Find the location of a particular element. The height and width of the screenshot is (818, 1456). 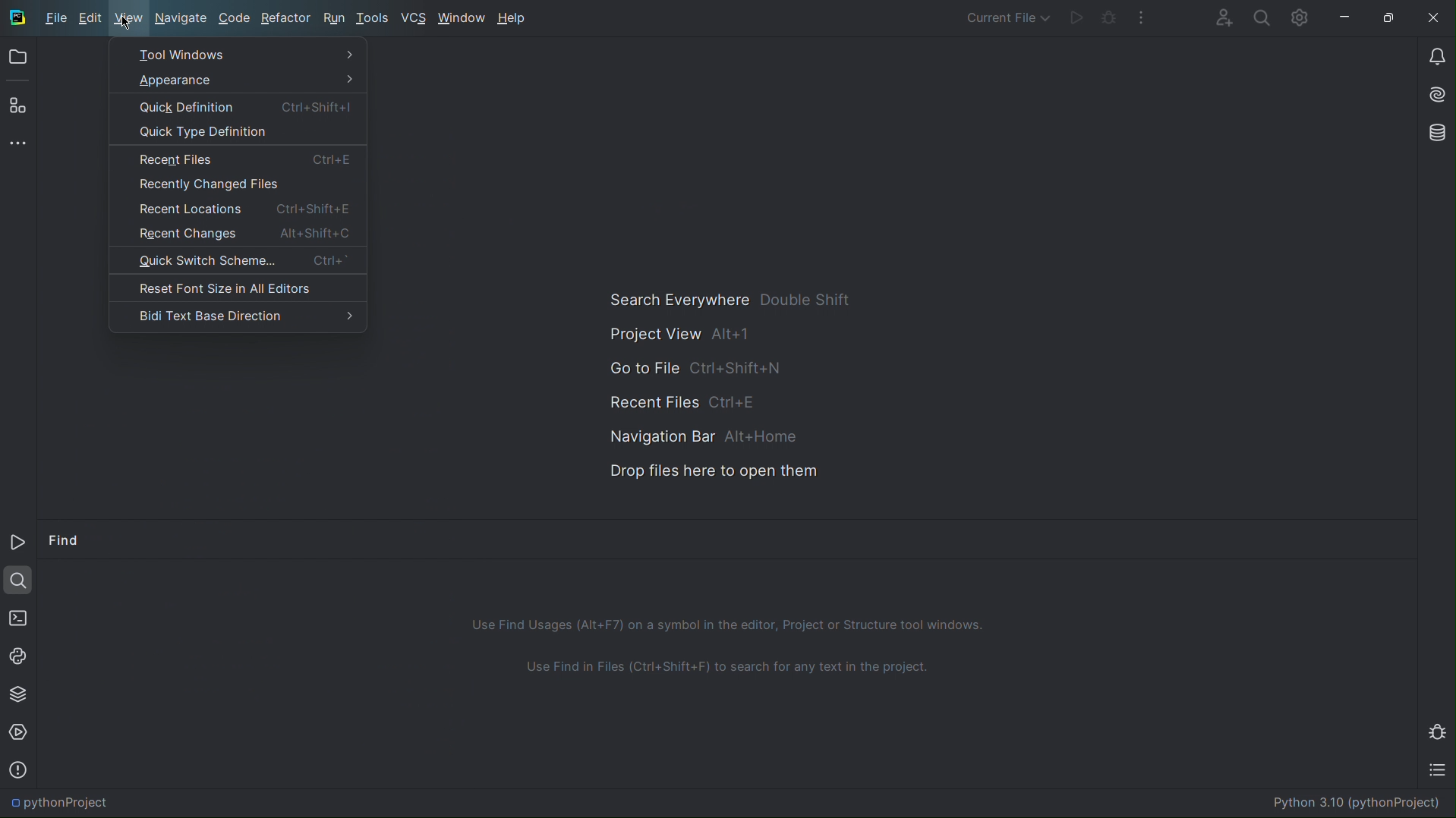

Notifications is located at coordinates (1435, 55).